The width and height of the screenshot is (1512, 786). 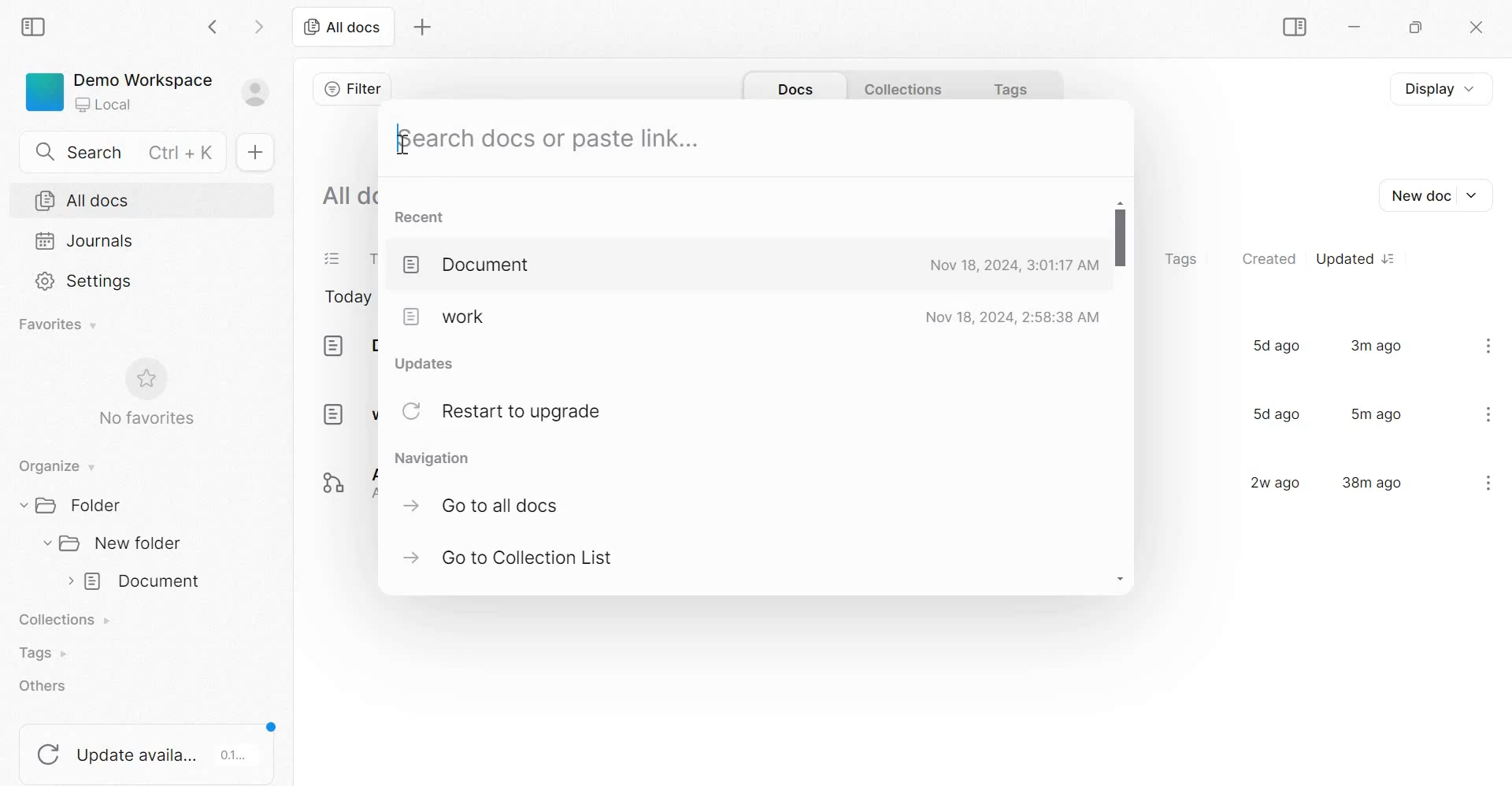 I want to click on restart to upgrade, so click(x=511, y=412).